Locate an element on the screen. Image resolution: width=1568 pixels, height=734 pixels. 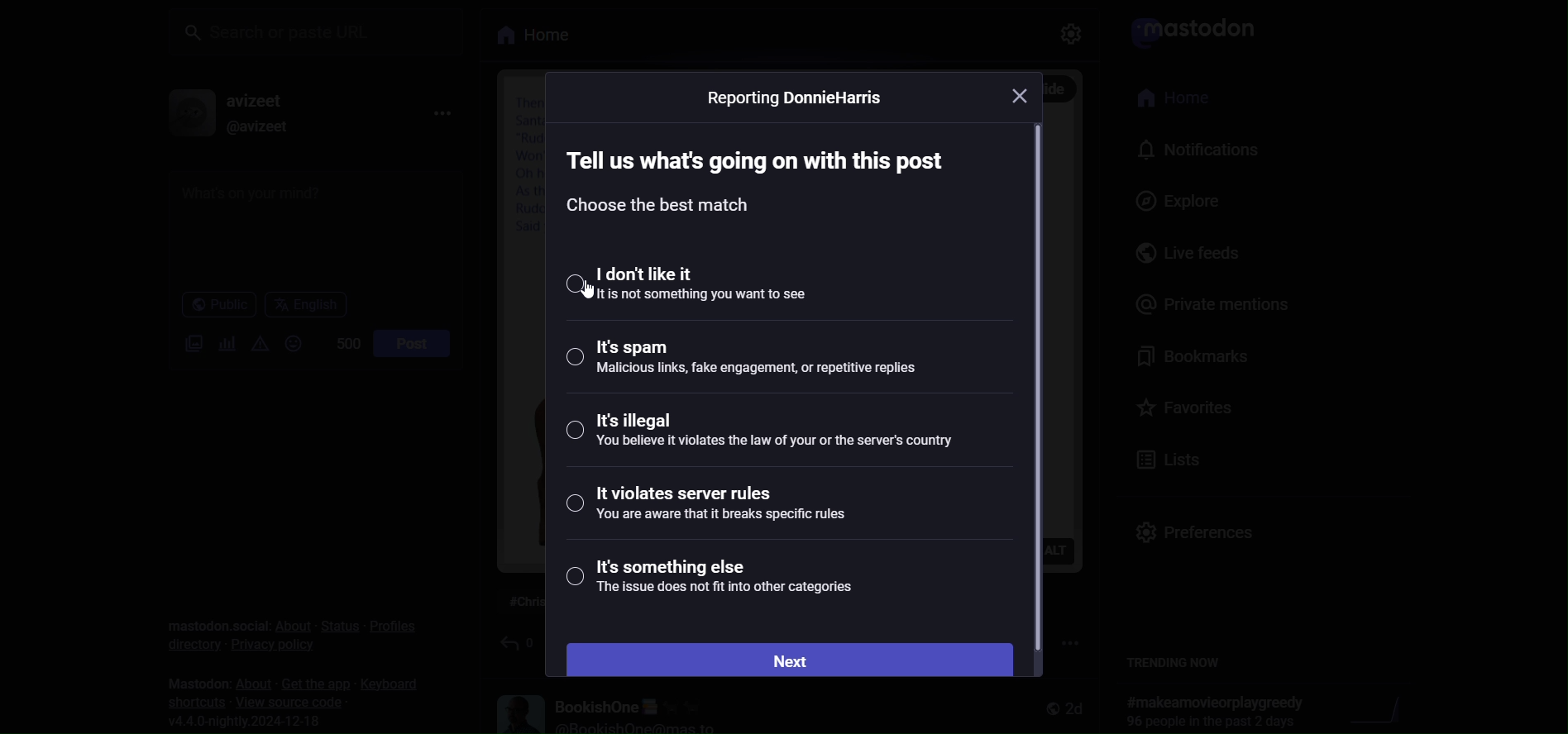
poll is located at coordinates (222, 342).